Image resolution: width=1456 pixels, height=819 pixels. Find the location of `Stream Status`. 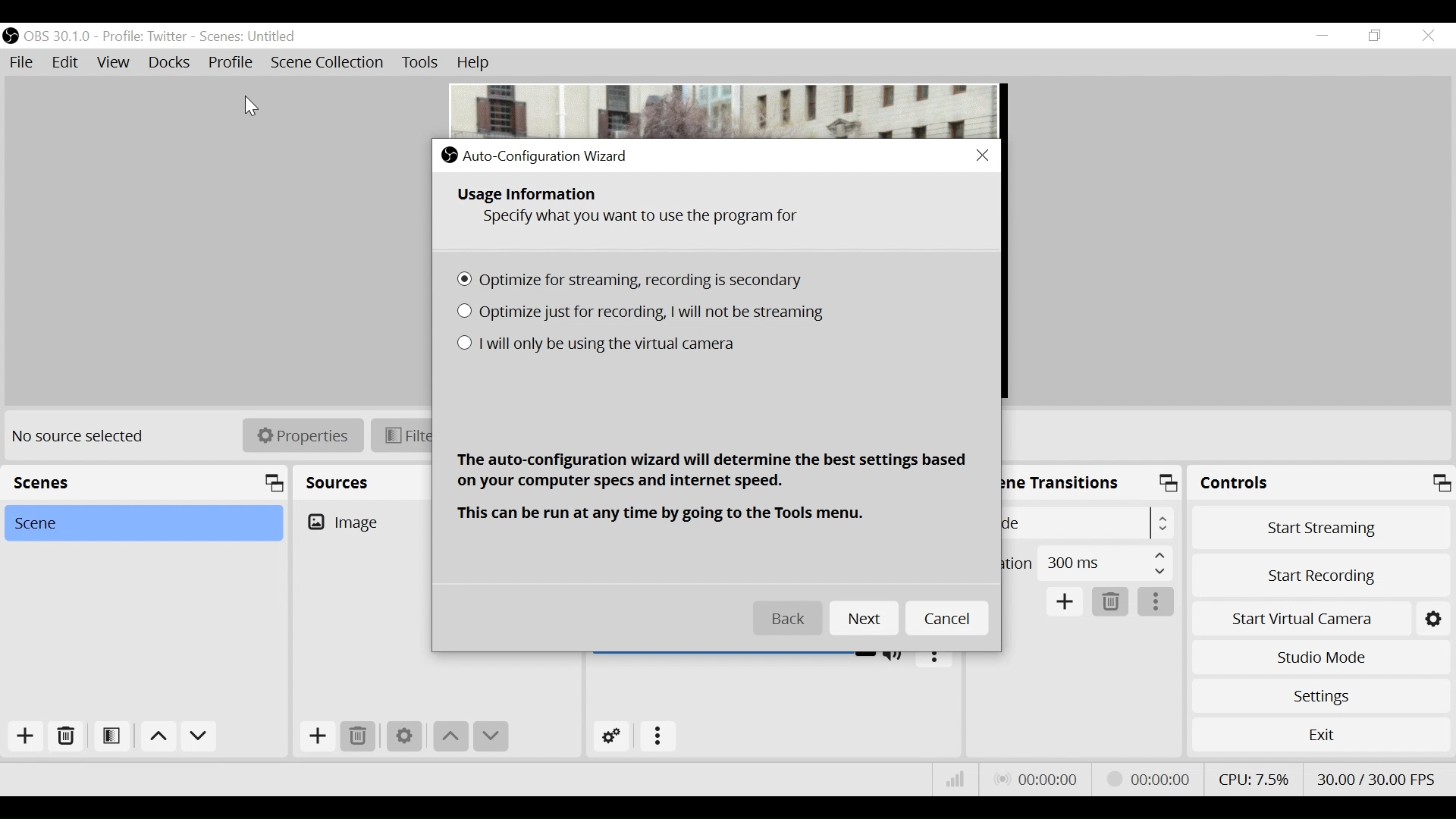

Stream Status is located at coordinates (1150, 778).